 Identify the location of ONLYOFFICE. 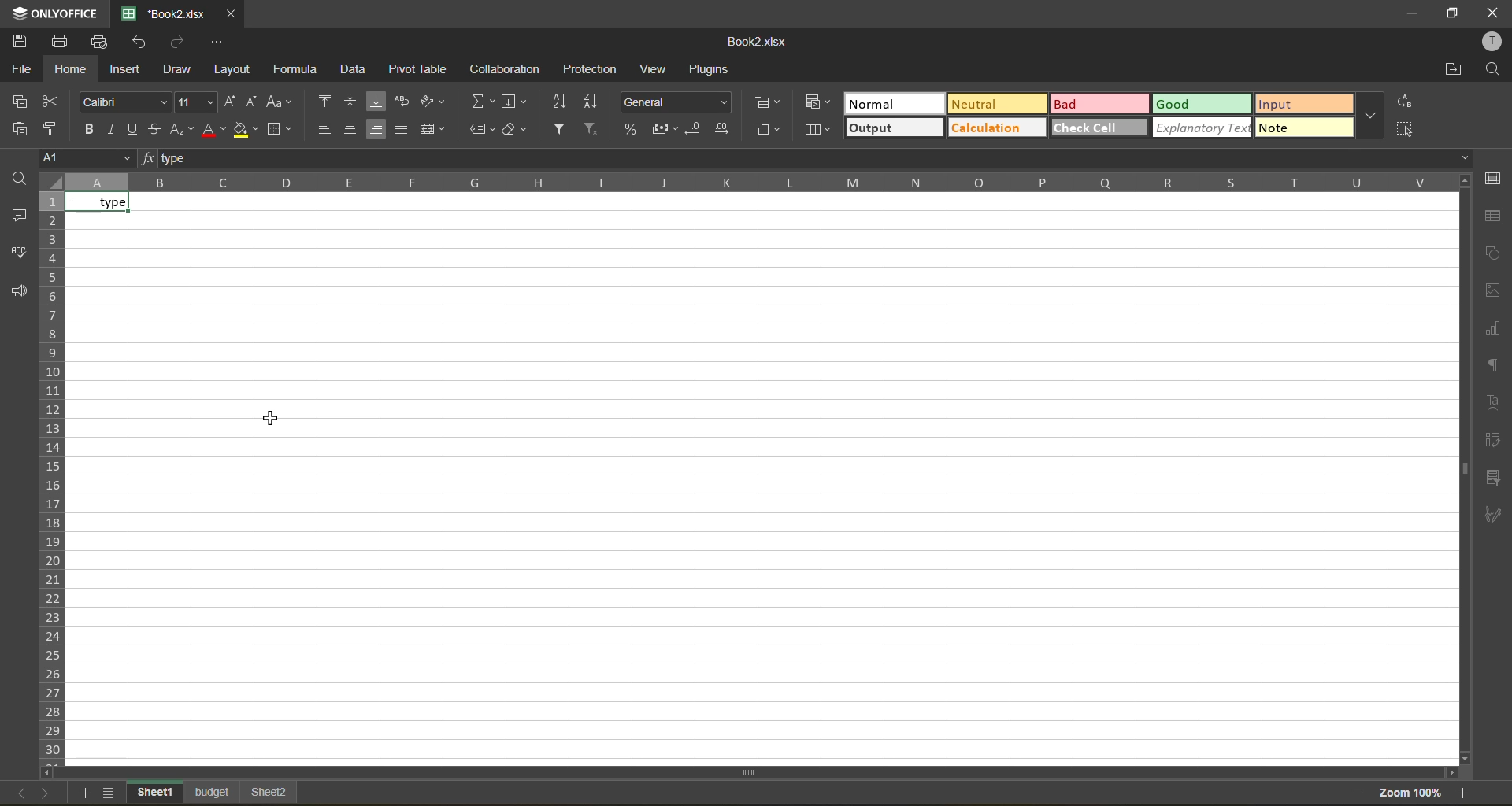
(55, 13).